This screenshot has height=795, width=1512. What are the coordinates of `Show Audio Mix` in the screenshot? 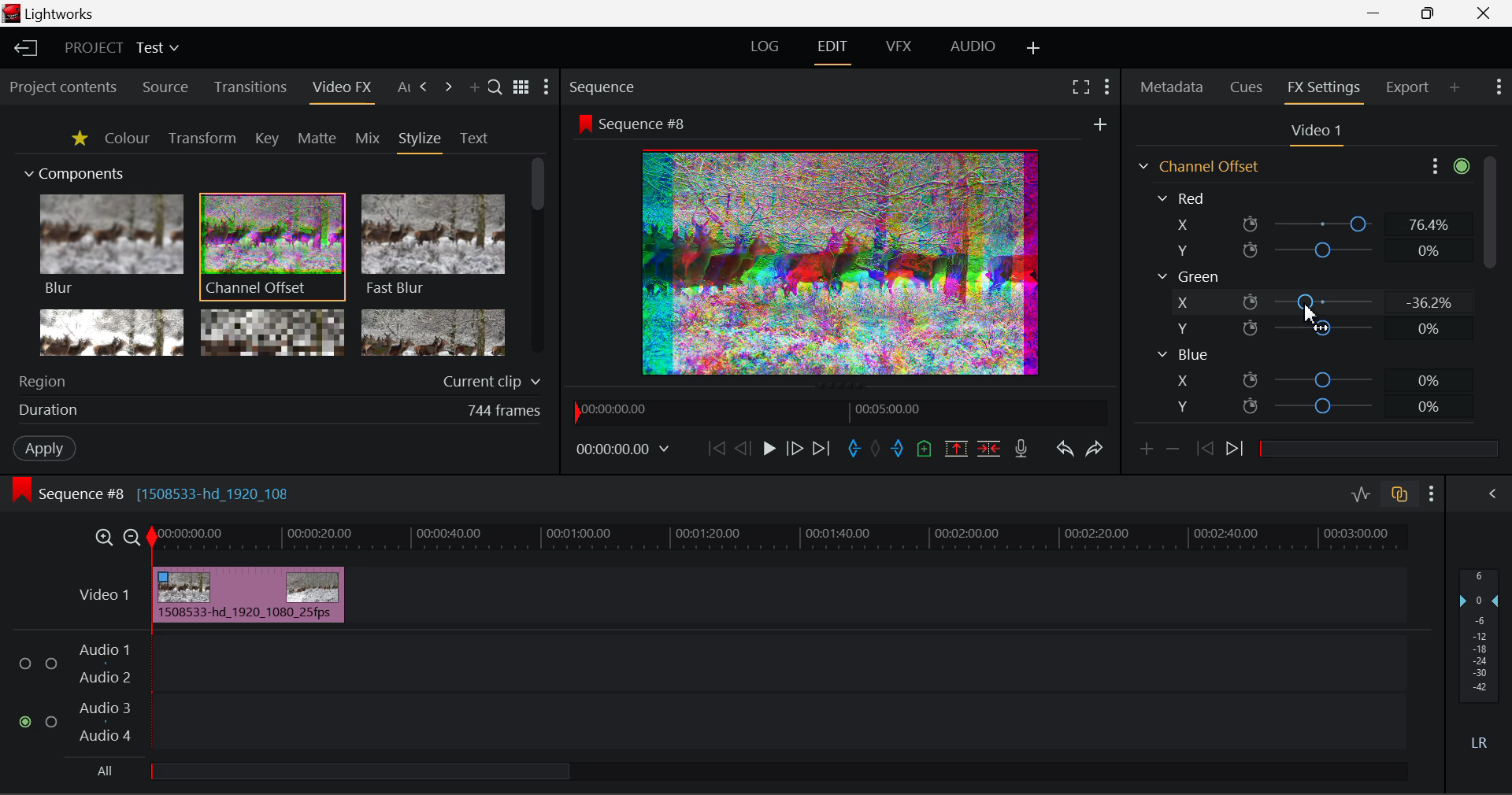 It's located at (1484, 494).